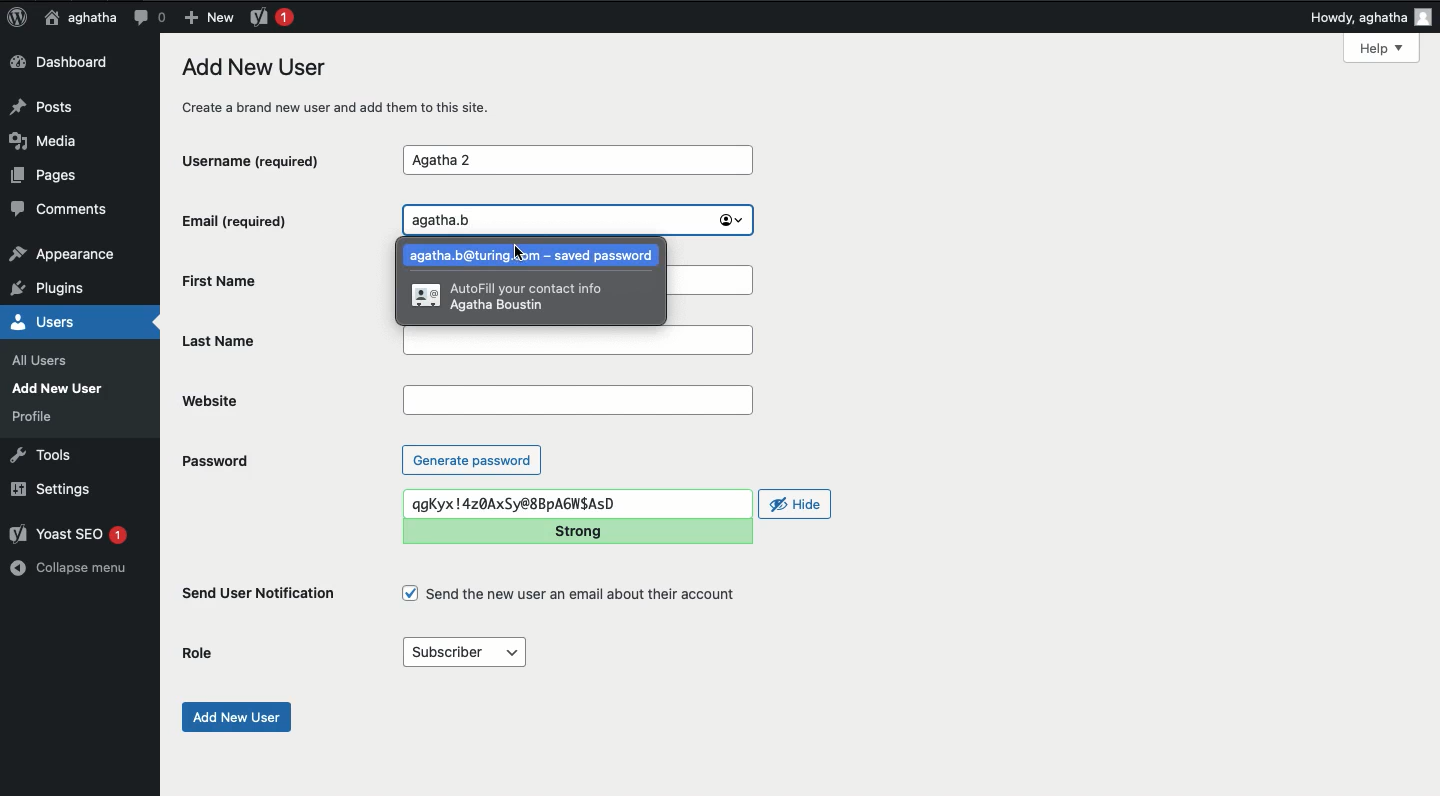  I want to click on Dashboard, so click(65, 63).